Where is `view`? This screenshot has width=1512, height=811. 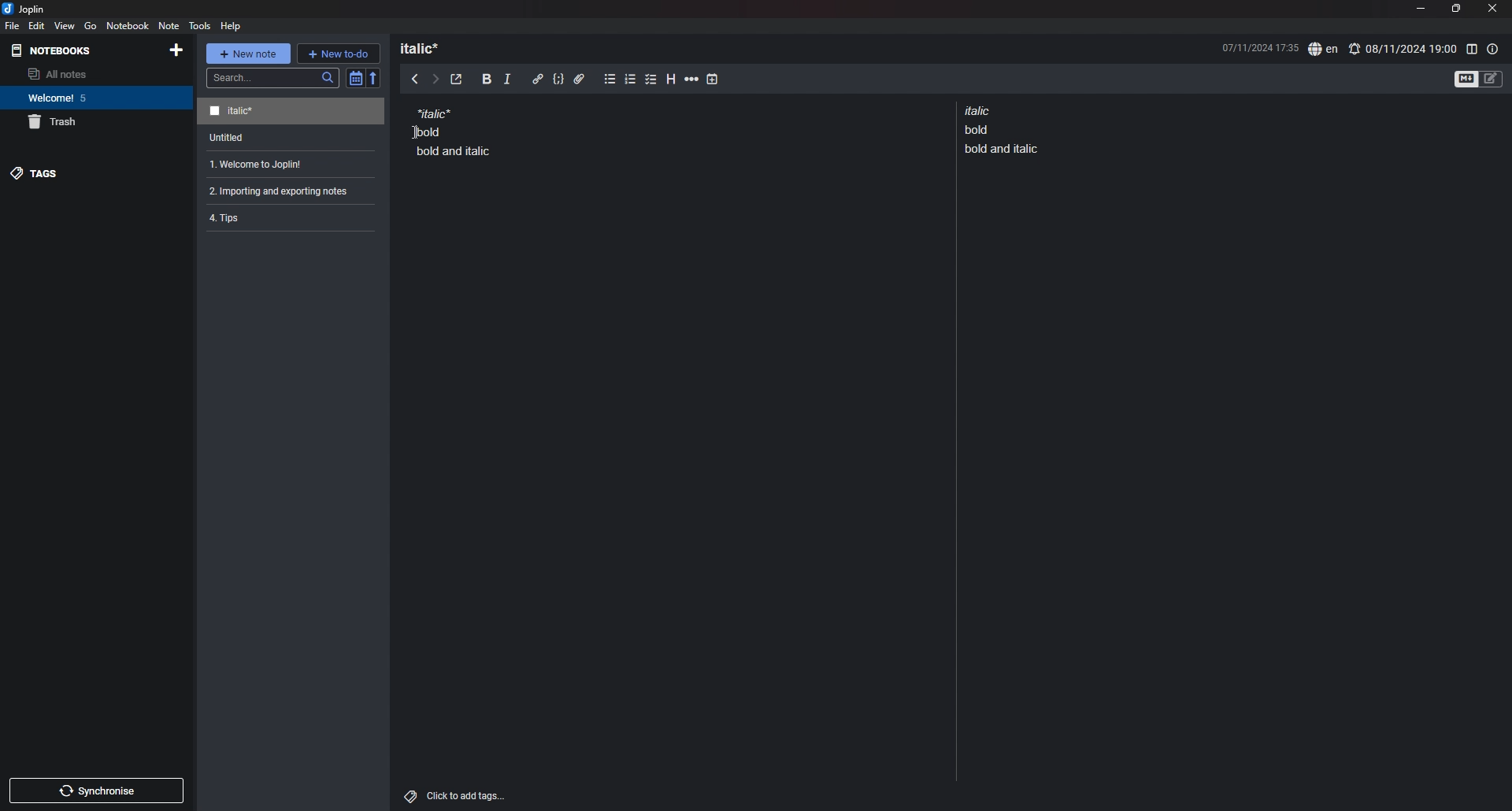
view is located at coordinates (65, 25).